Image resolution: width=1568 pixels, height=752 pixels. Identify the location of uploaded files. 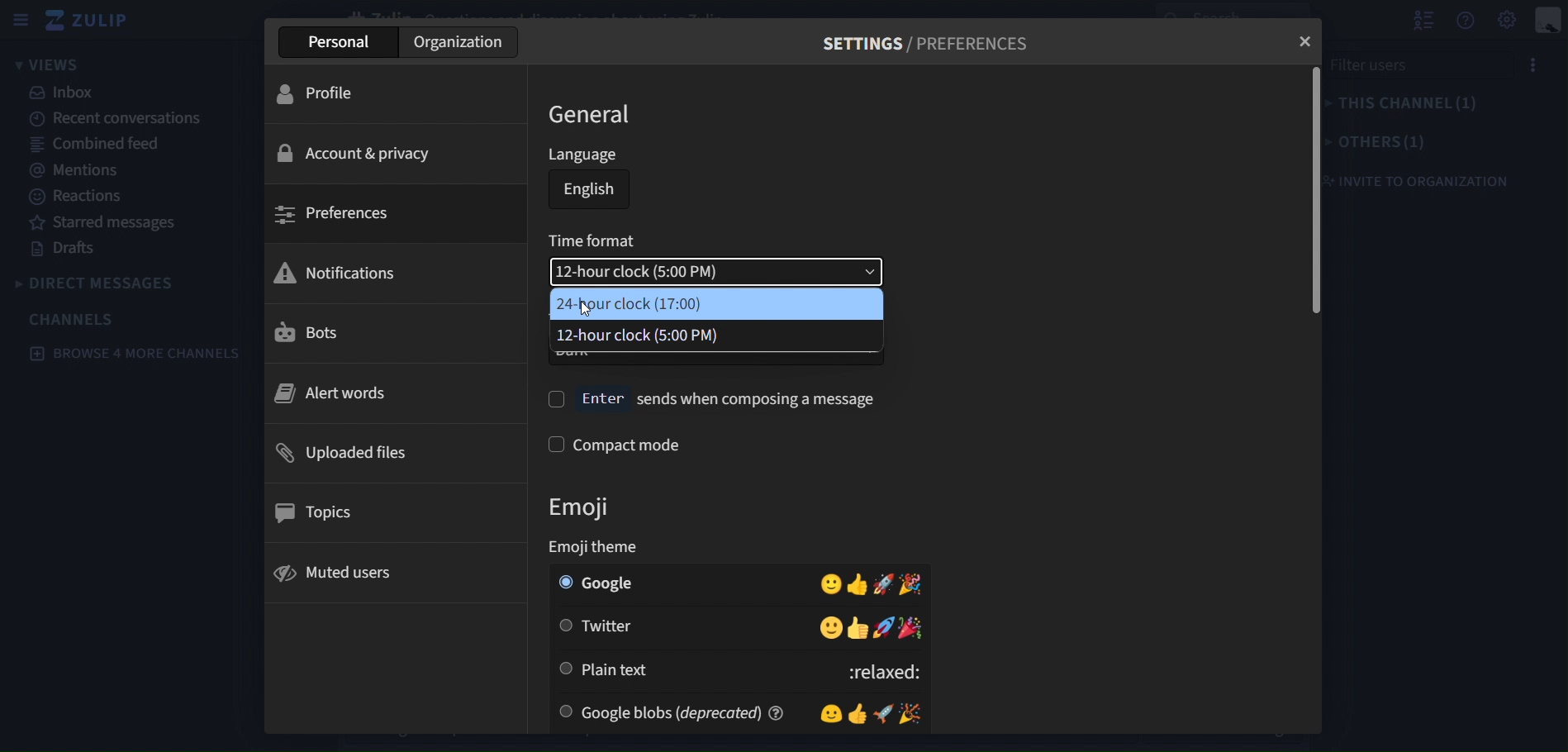
(391, 450).